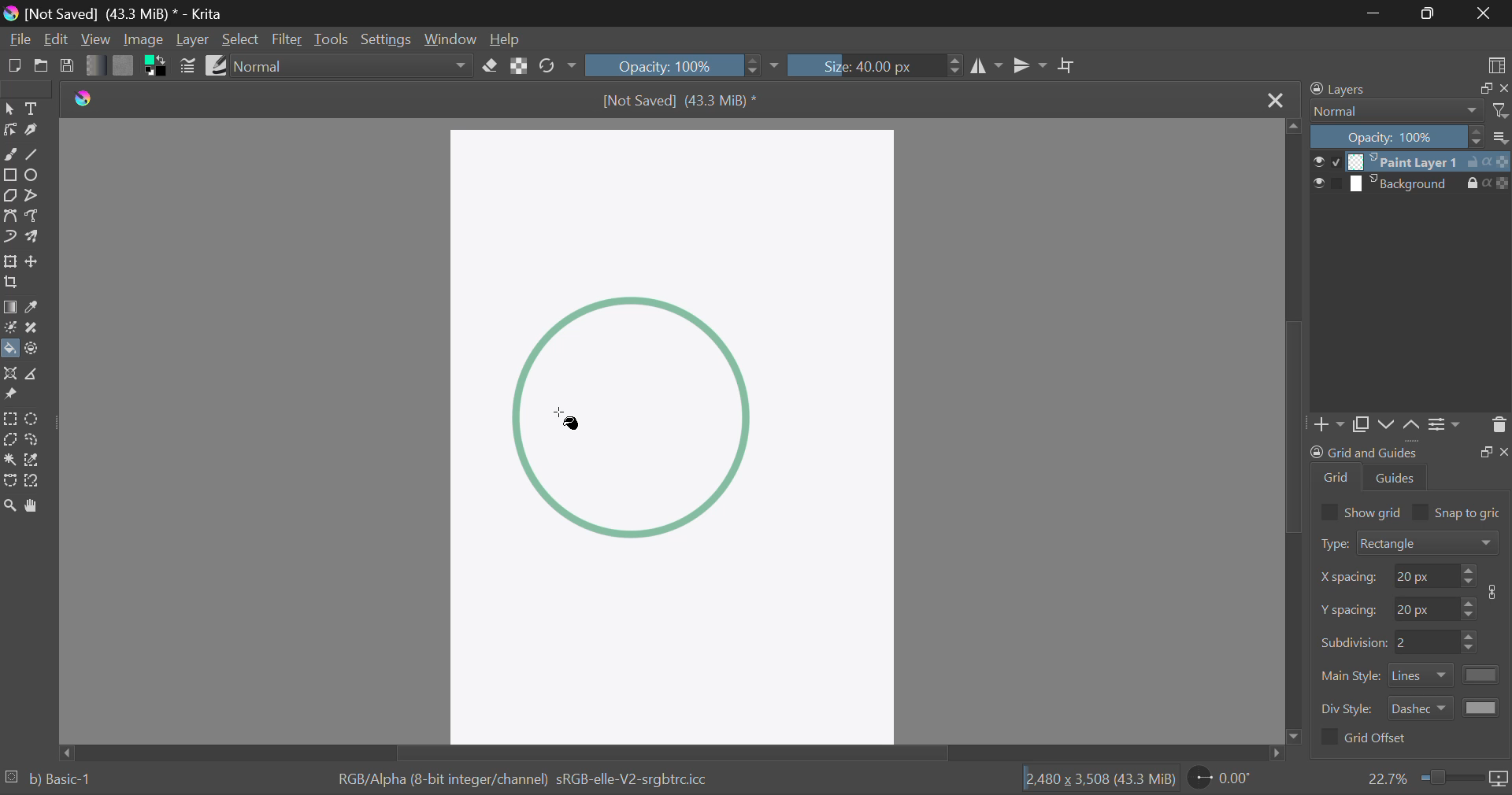  I want to click on Restore Down, so click(1375, 13).